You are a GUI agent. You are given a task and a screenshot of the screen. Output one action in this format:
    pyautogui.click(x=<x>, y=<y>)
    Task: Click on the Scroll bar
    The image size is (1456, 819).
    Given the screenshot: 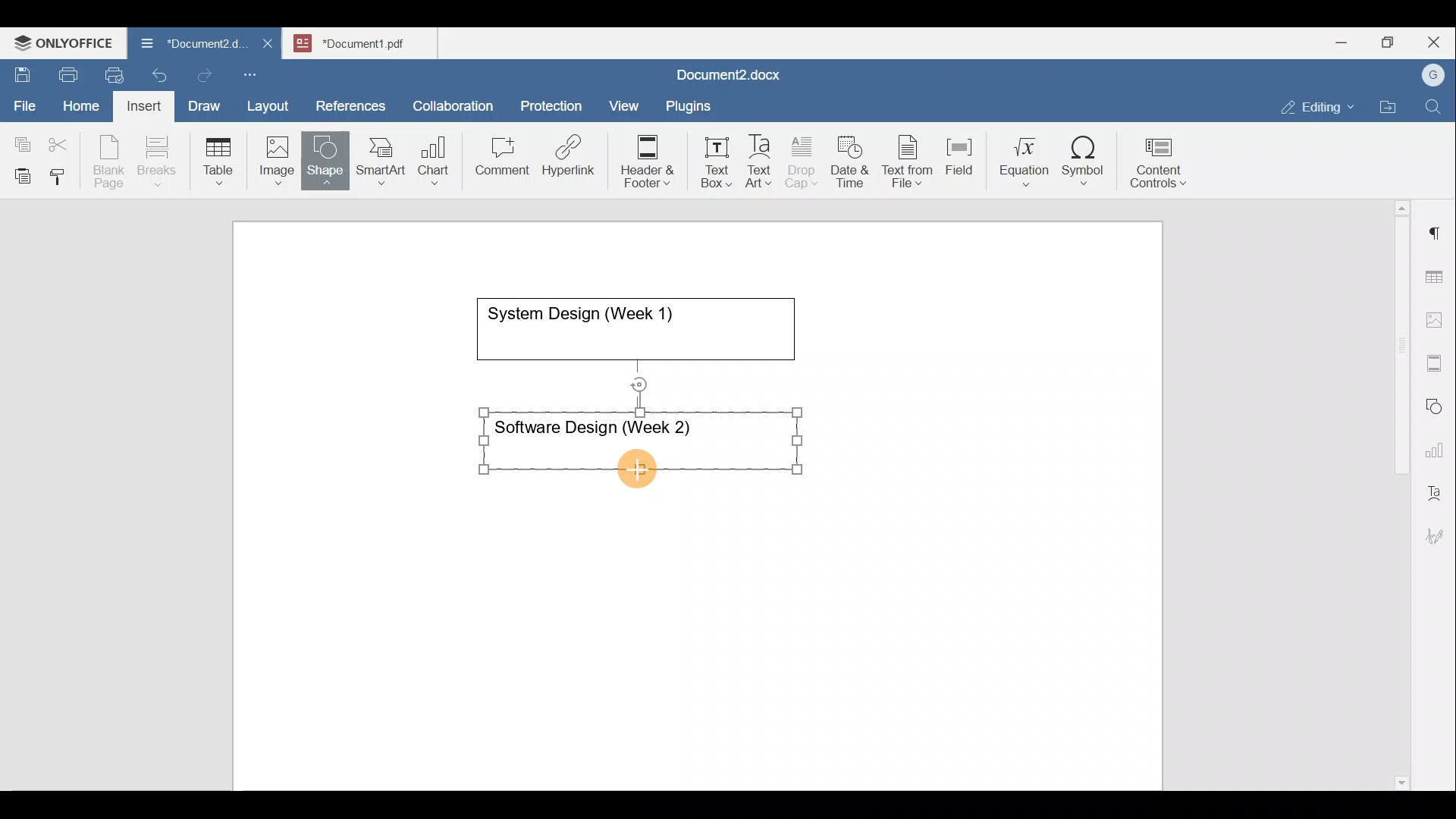 What is the action you would take?
    pyautogui.click(x=1396, y=492)
    